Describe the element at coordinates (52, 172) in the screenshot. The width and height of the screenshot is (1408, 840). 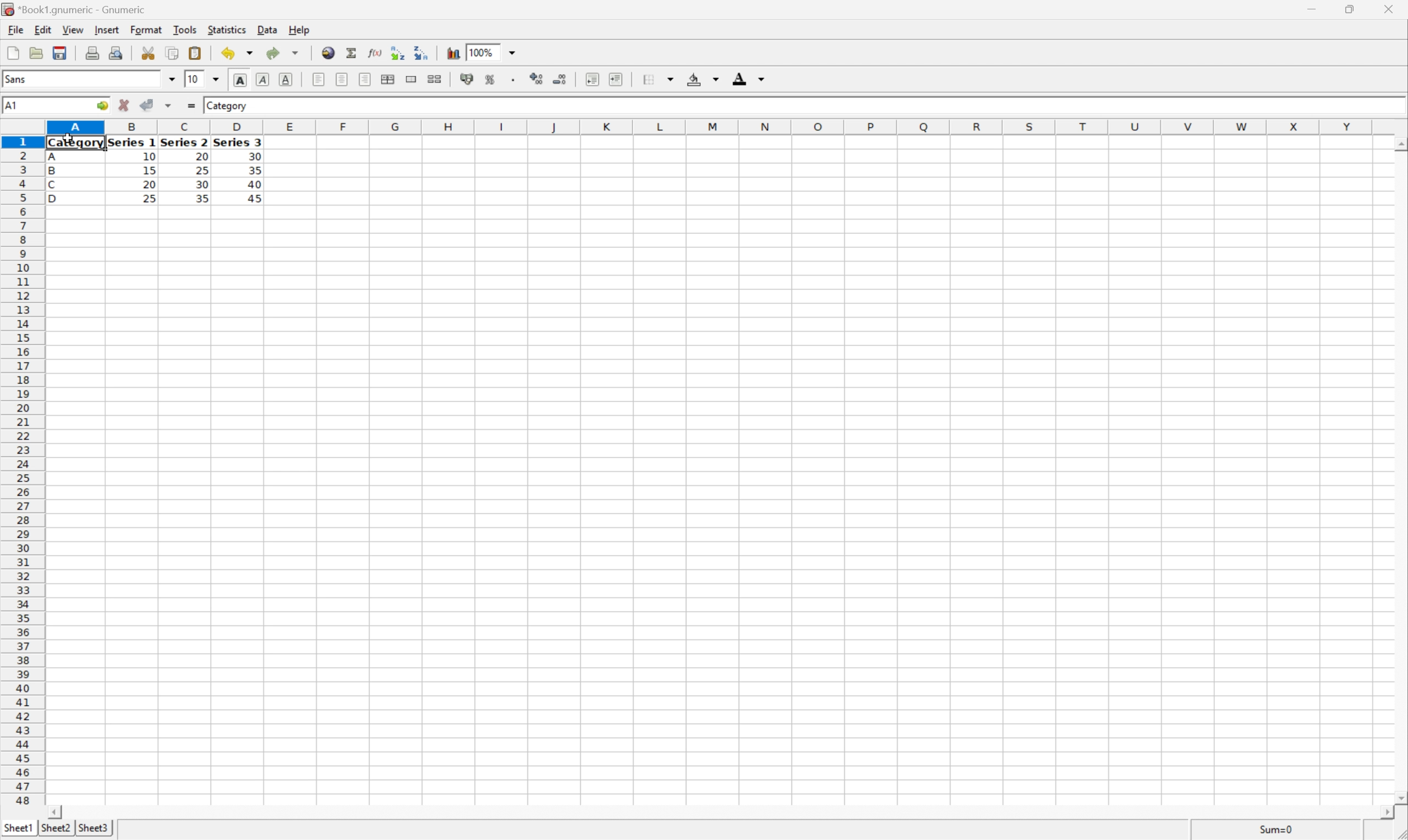
I see `B` at that location.